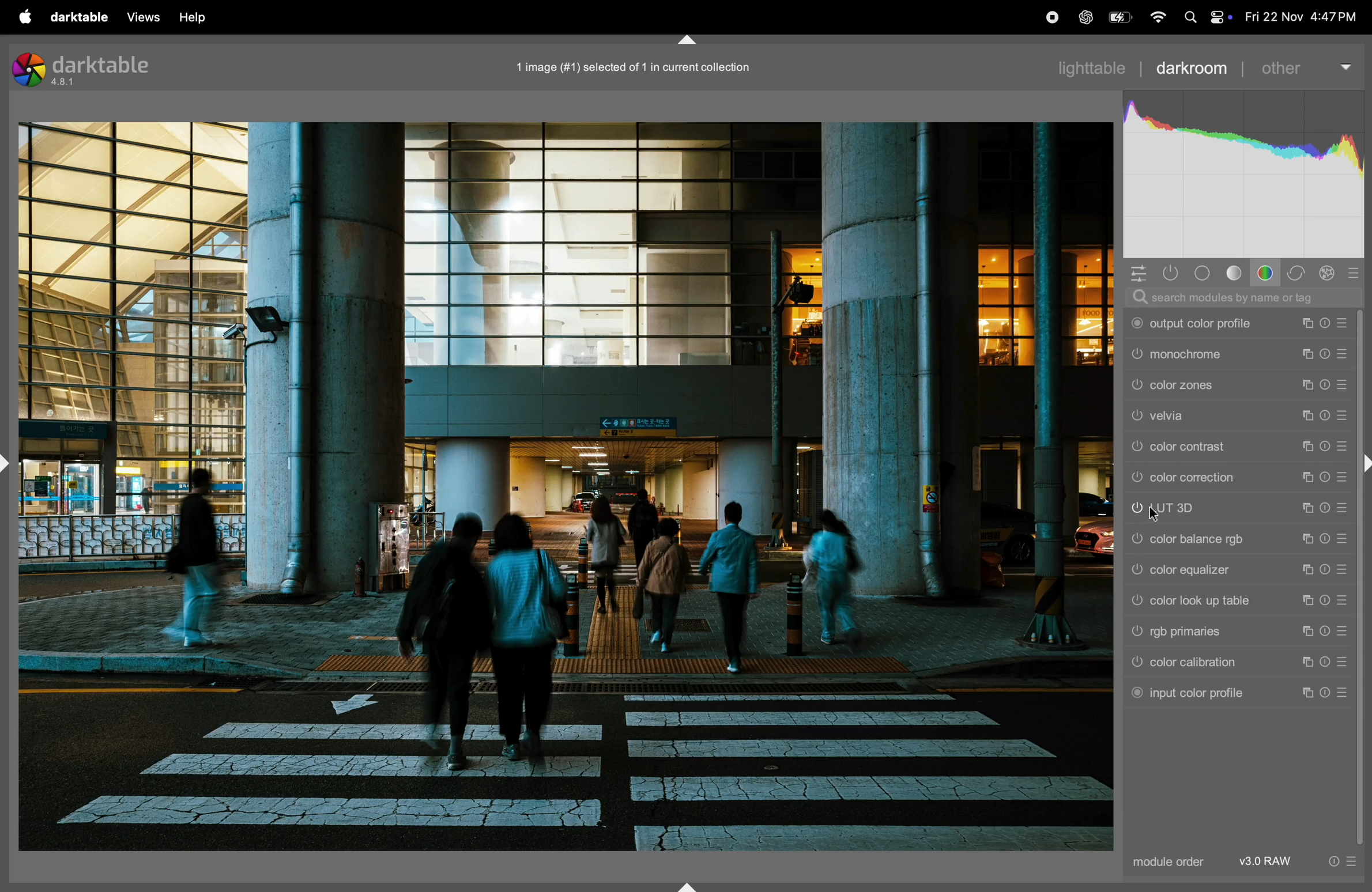 This screenshot has height=892, width=1372. What do you see at coordinates (1347, 663) in the screenshot?
I see `presets` at bounding box center [1347, 663].